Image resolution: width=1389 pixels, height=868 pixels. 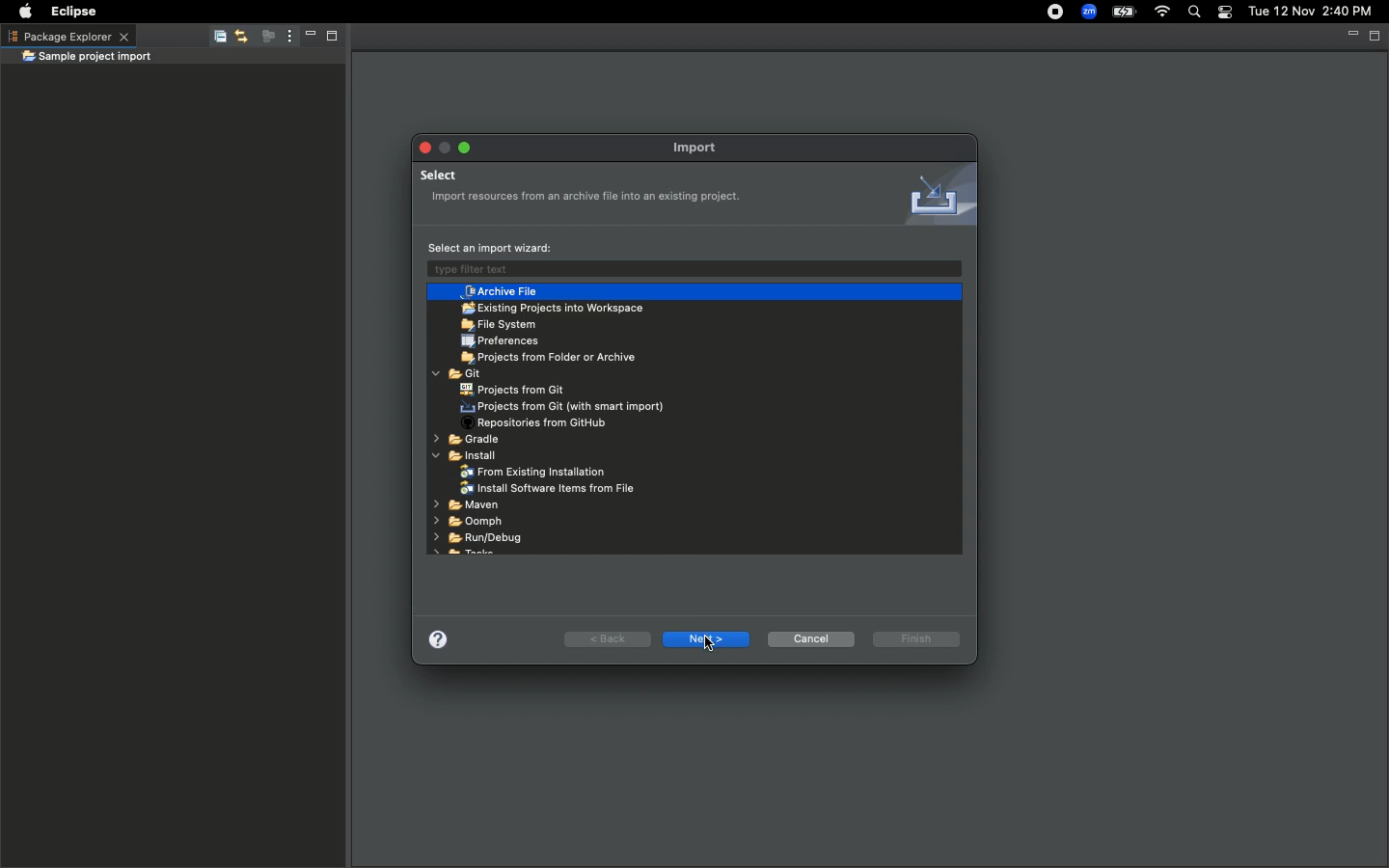 I want to click on Minimize, so click(x=305, y=38).